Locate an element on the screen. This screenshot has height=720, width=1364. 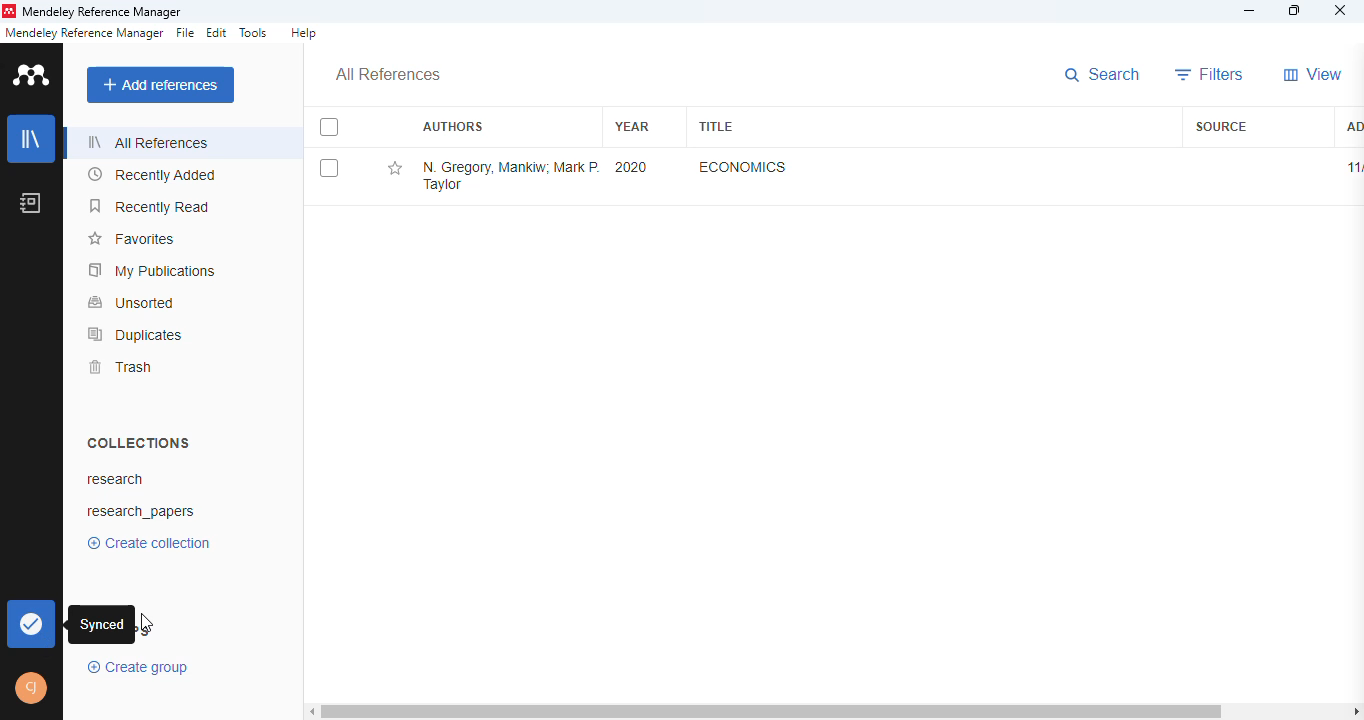
authors is located at coordinates (454, 126).